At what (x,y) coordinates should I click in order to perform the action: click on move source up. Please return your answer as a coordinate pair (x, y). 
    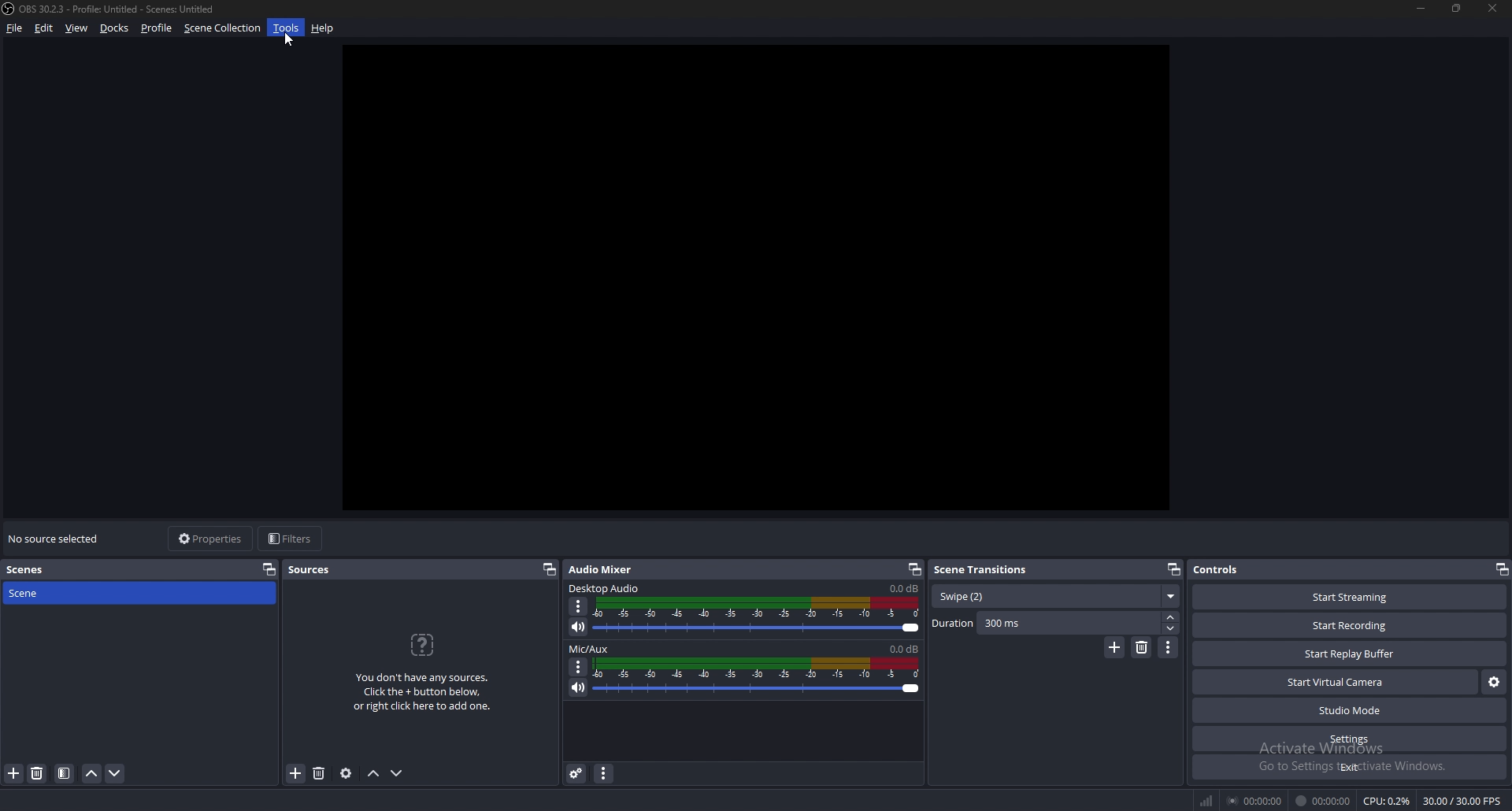
    Looking at the image, I should click on (373, 774).